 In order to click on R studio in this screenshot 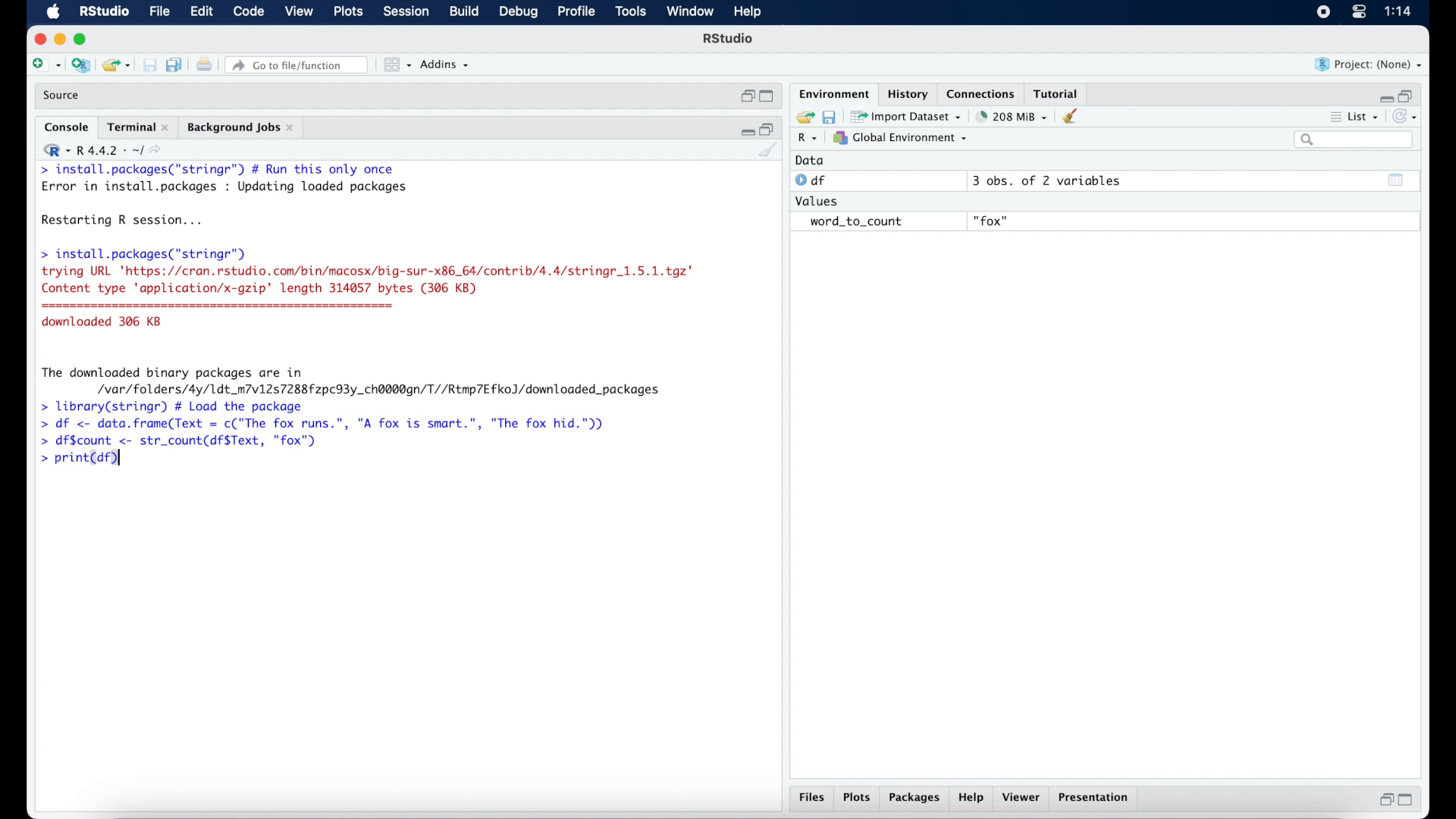, I will do `click(728, 39)`.